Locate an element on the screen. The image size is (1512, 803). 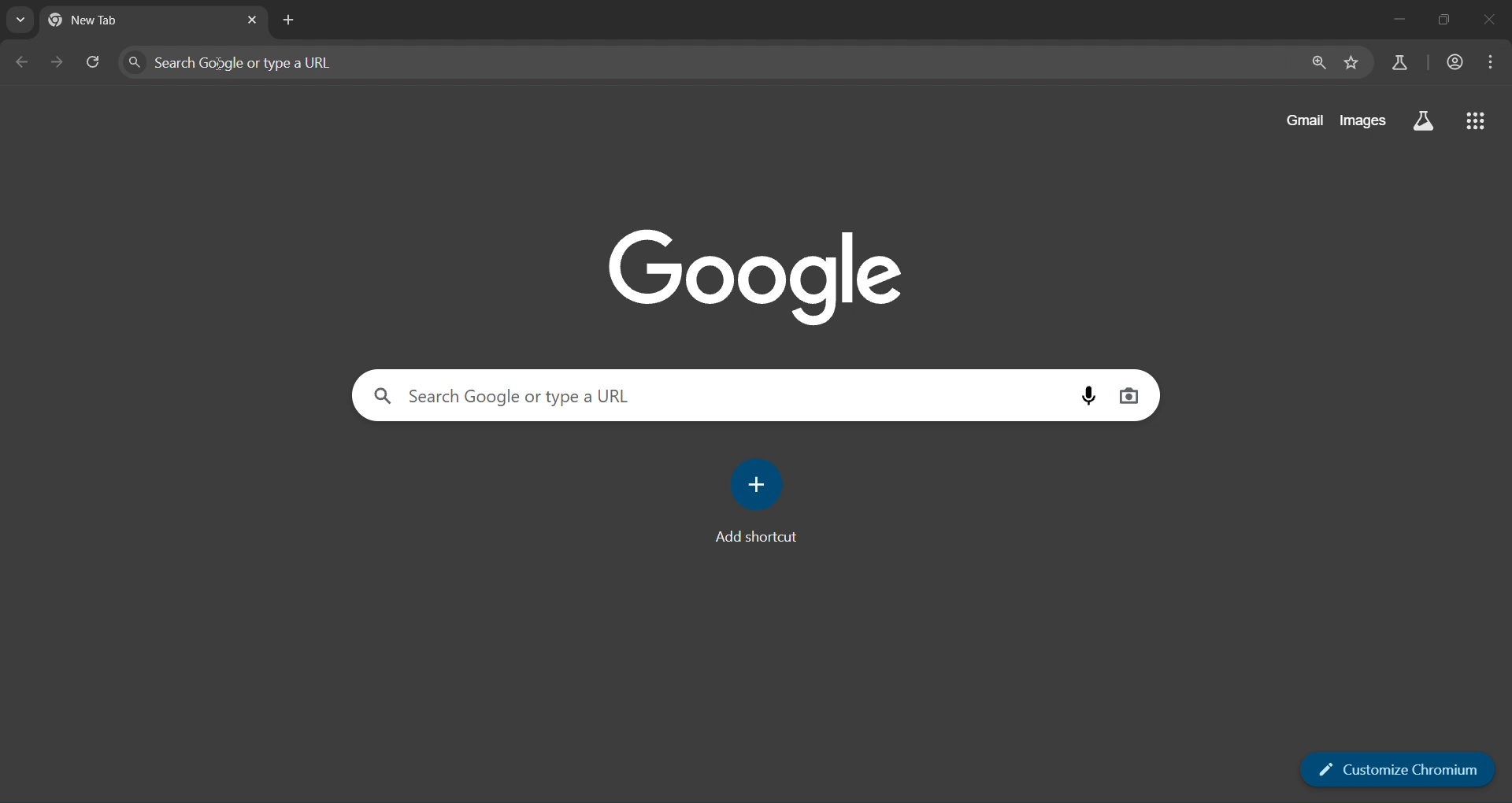
google apps is located at coordinates (1477, 124).